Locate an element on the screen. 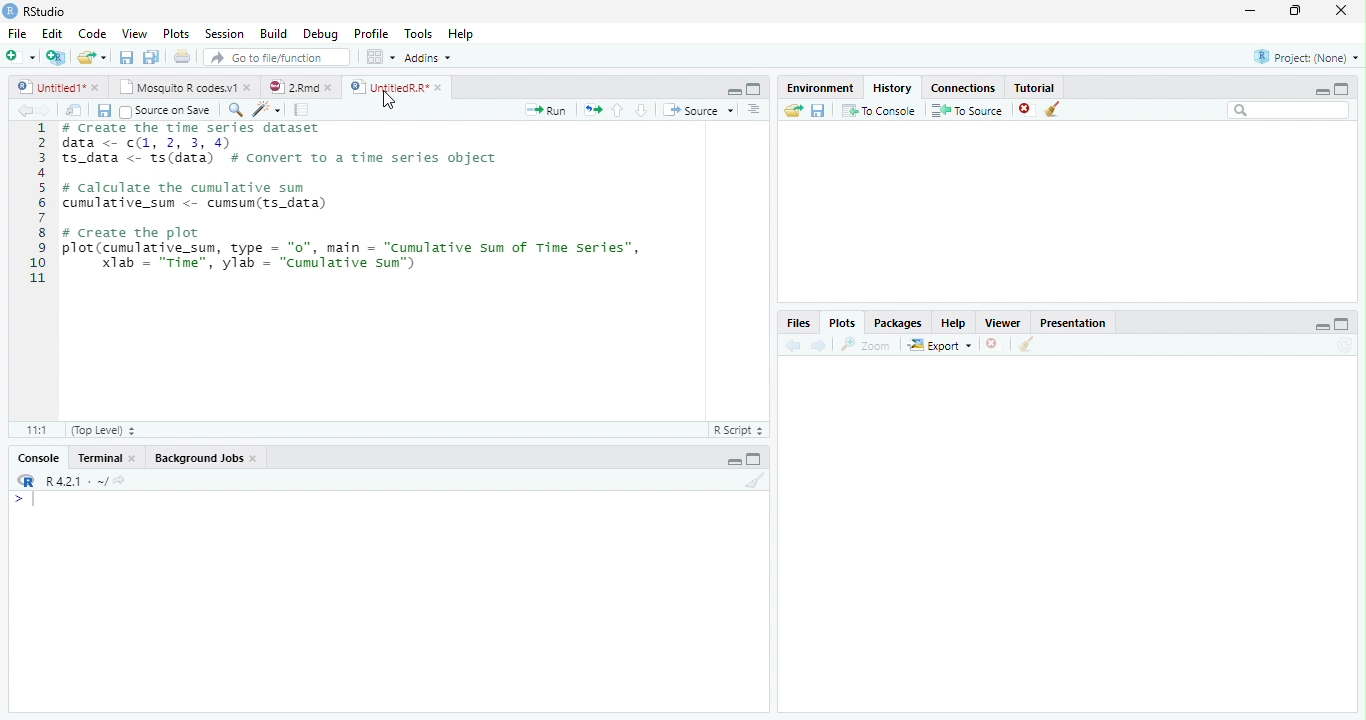 The image size is (1366, 720). File is located at coordinates (16, 34).